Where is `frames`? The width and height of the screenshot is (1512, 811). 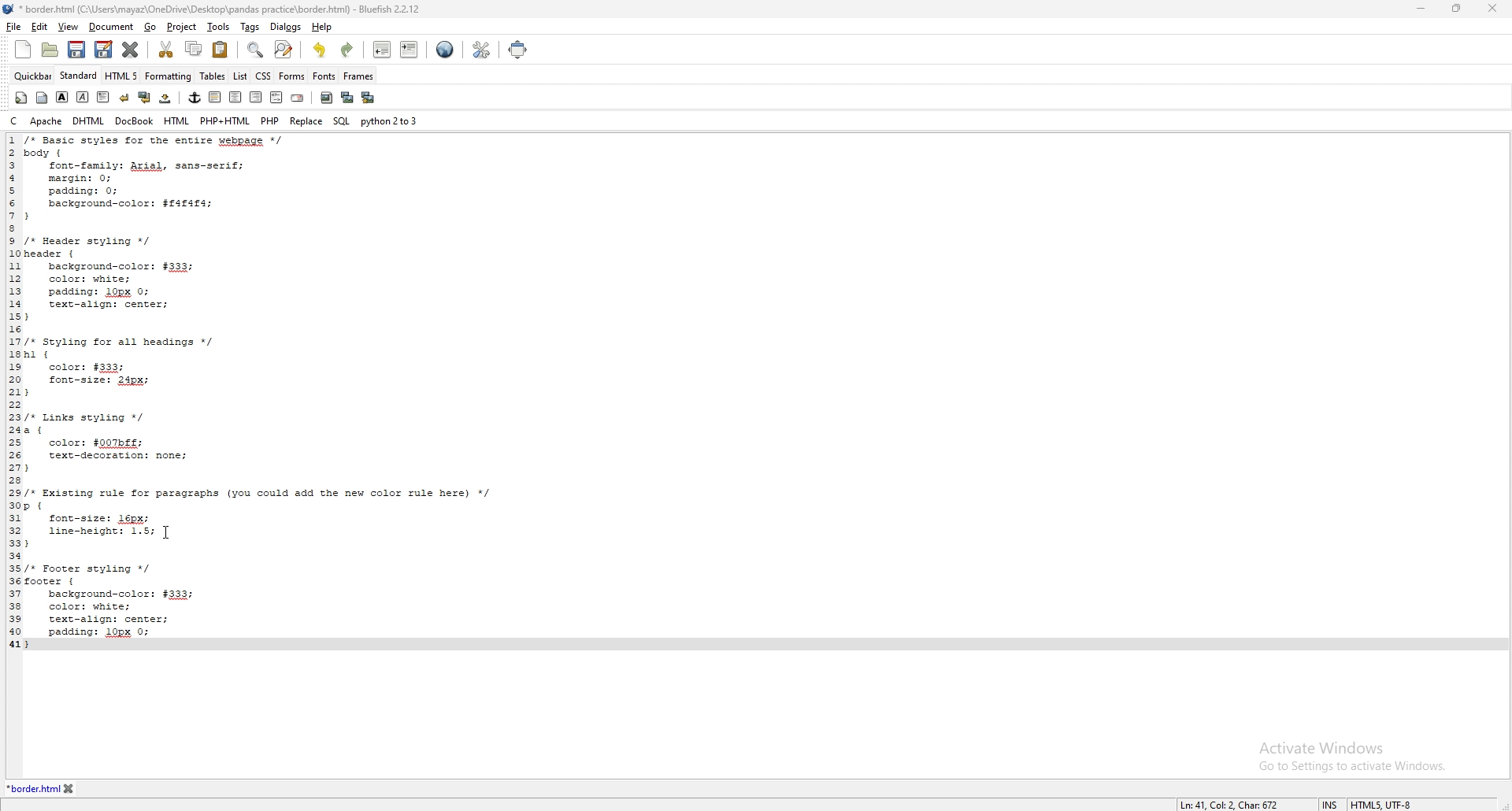
frames is located at coordinates (358, 76).